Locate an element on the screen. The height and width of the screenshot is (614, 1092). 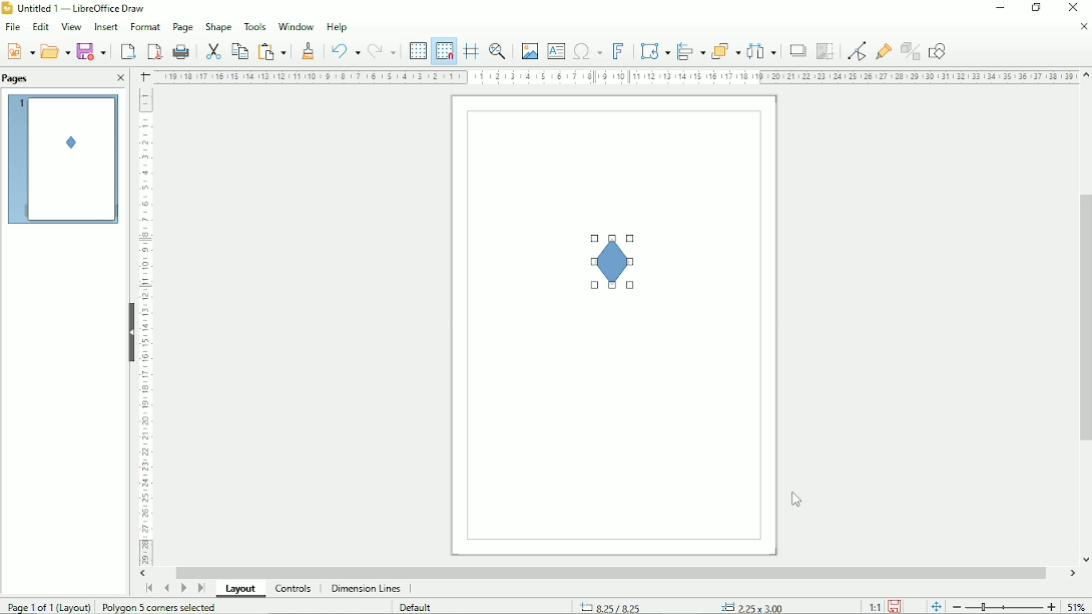
Polygon 5 corners selected is located at coordinates (162, 606).